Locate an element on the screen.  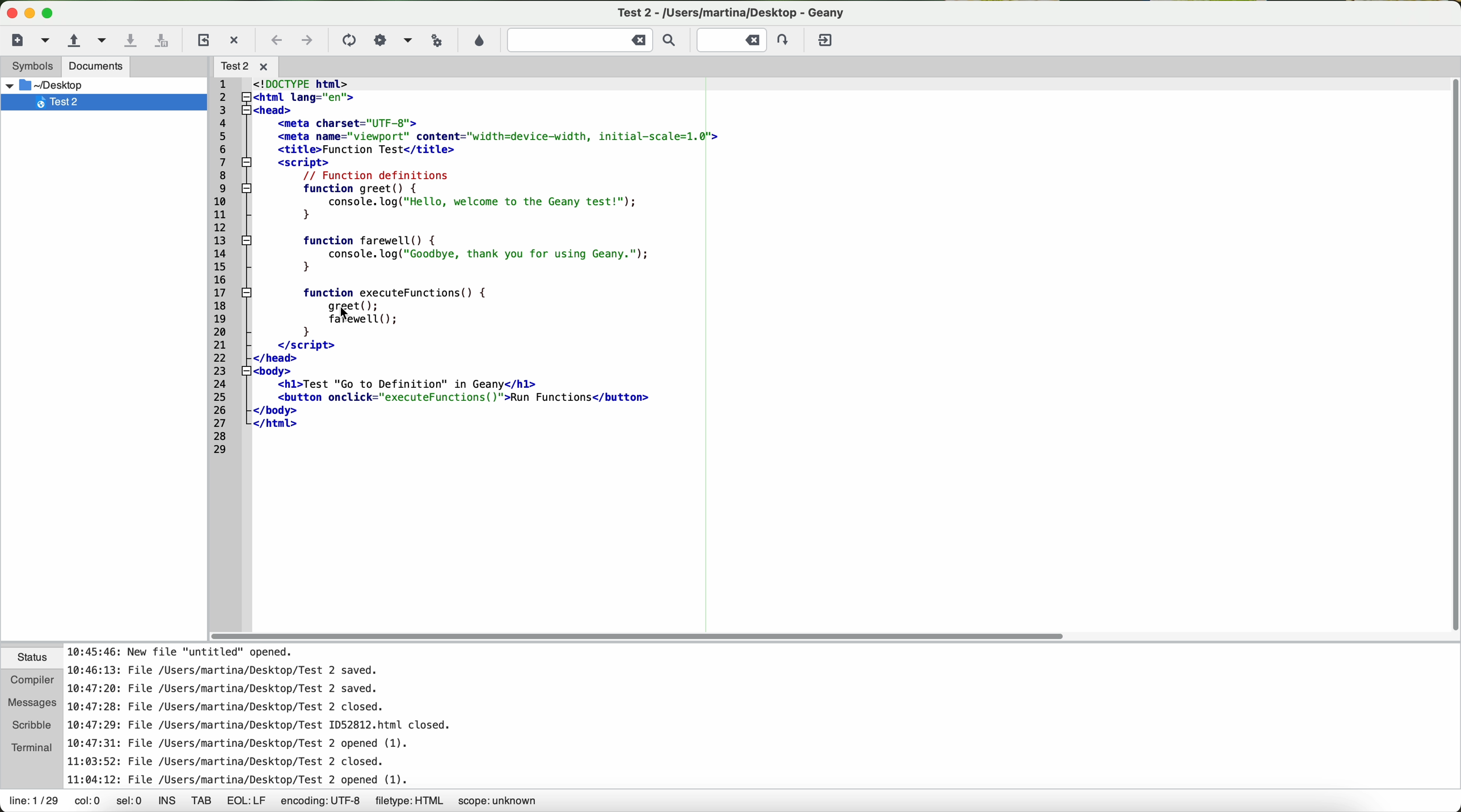
choose color is located at coordinates (478, 41).